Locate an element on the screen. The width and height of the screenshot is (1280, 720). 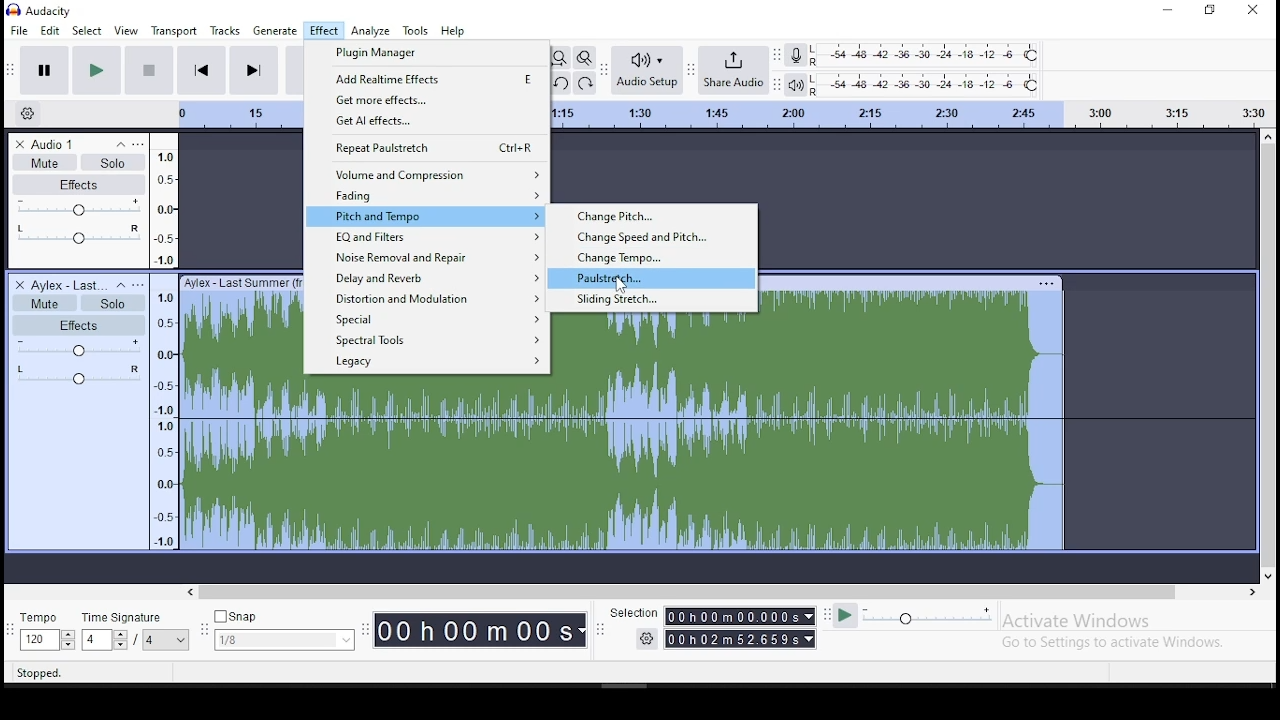
help is located at coordinates (453, 32).